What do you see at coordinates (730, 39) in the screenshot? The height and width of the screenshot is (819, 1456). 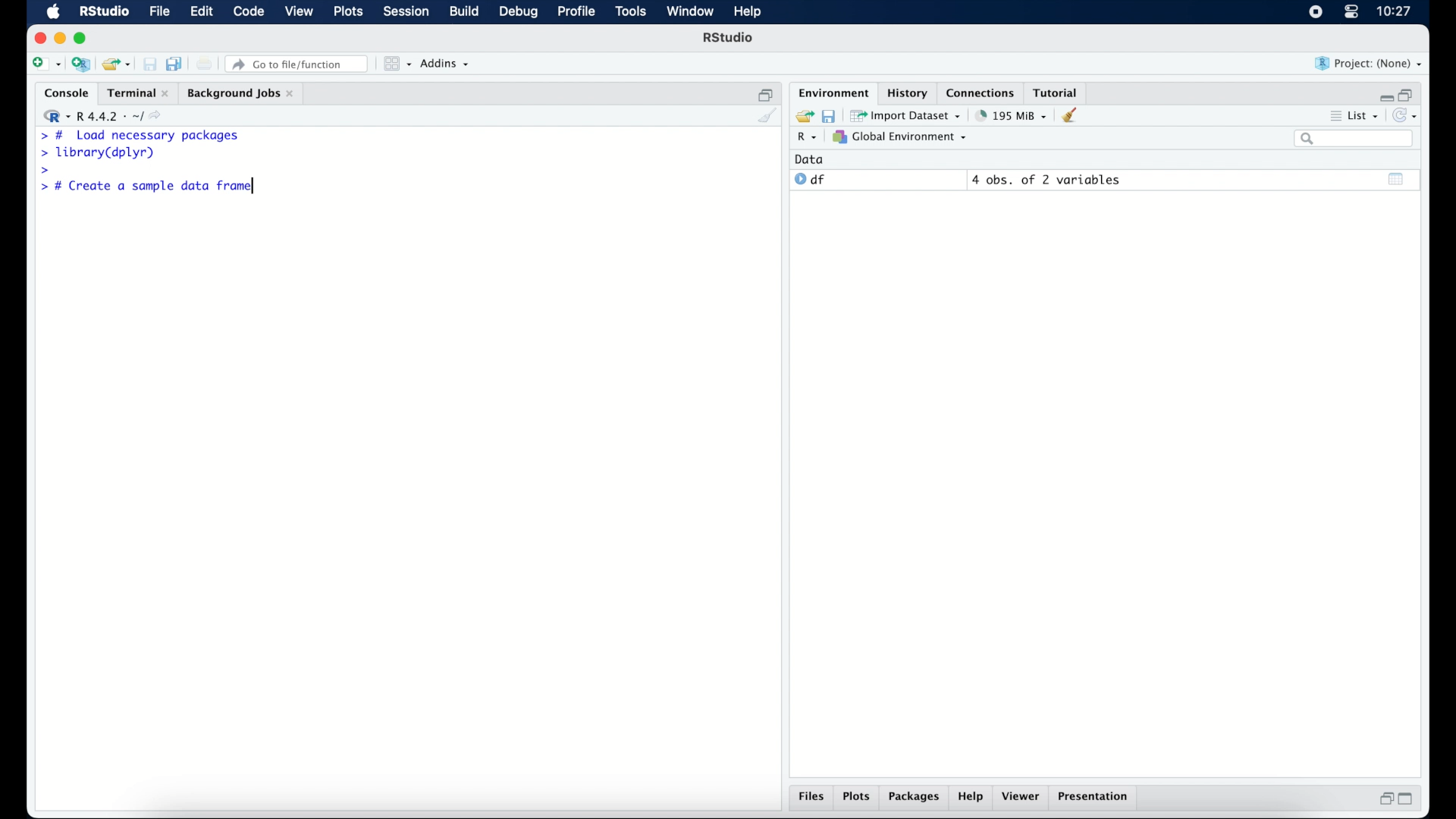 I see `R Studio` at bounding box center [730, 39].